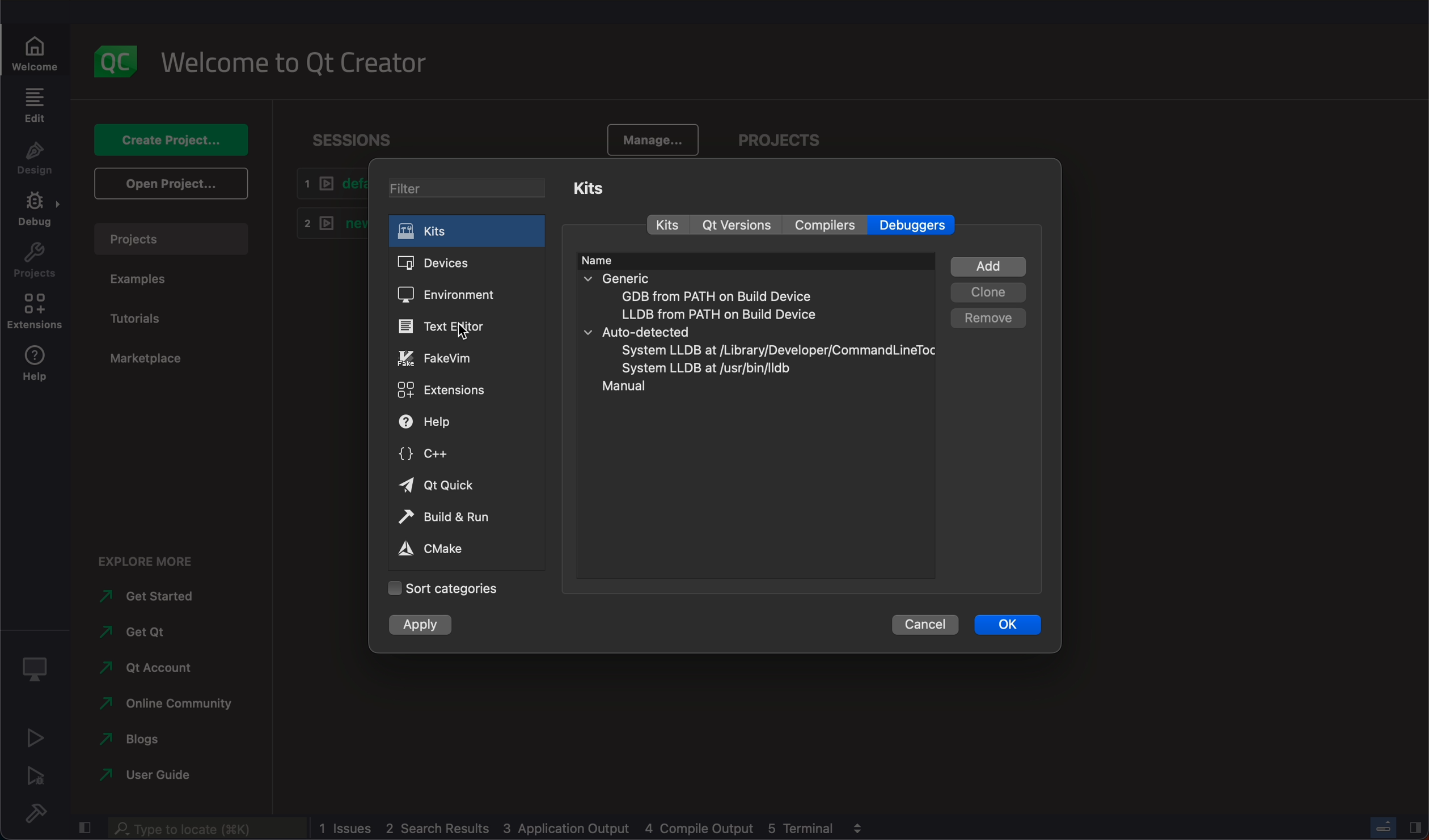 The width and height of the screenshot is (1429, 840). I want to click on add, so click(989, 265).